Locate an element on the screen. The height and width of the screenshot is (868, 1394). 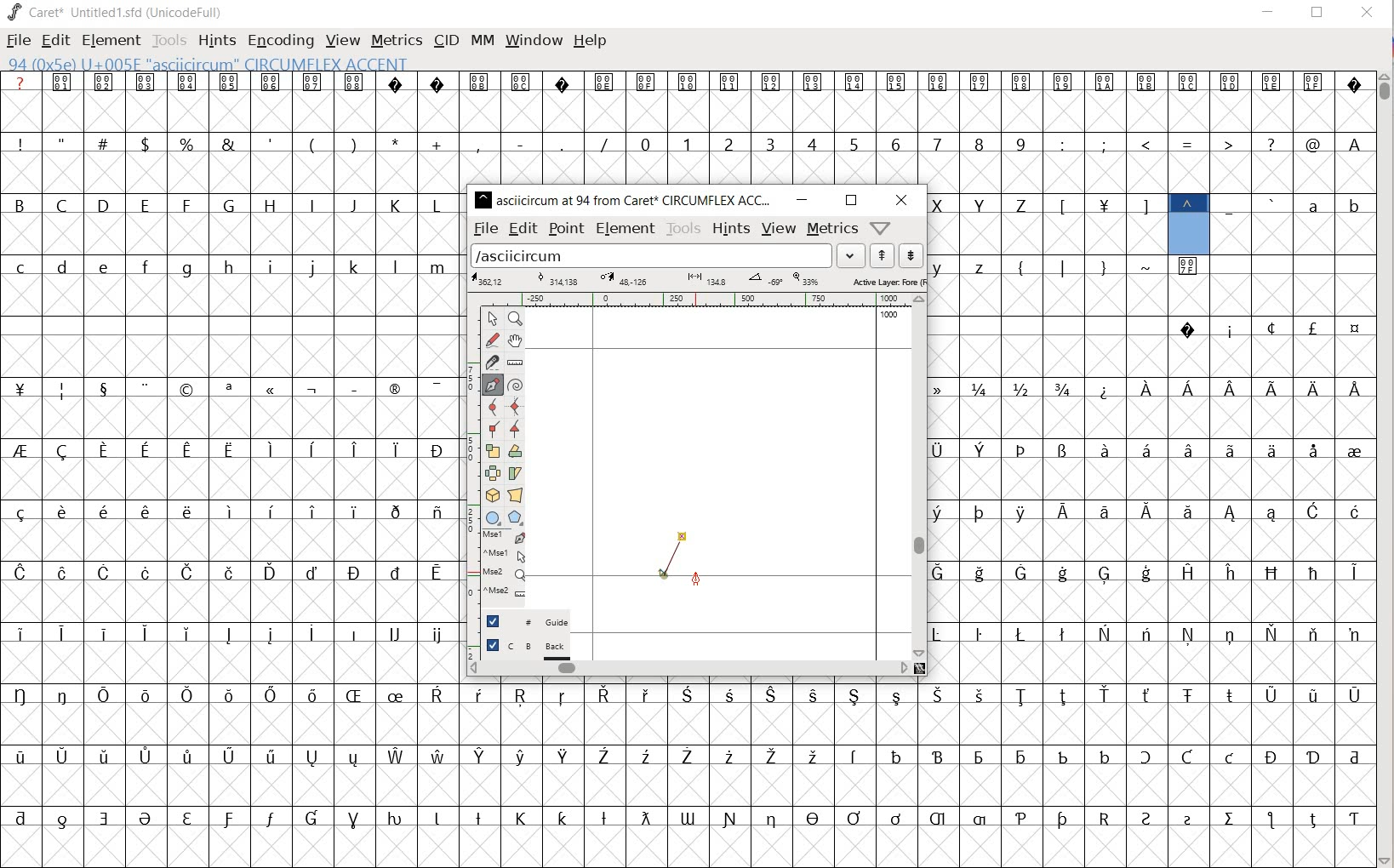
add a point, then drag out its control points is located at coordinates (491, 384).